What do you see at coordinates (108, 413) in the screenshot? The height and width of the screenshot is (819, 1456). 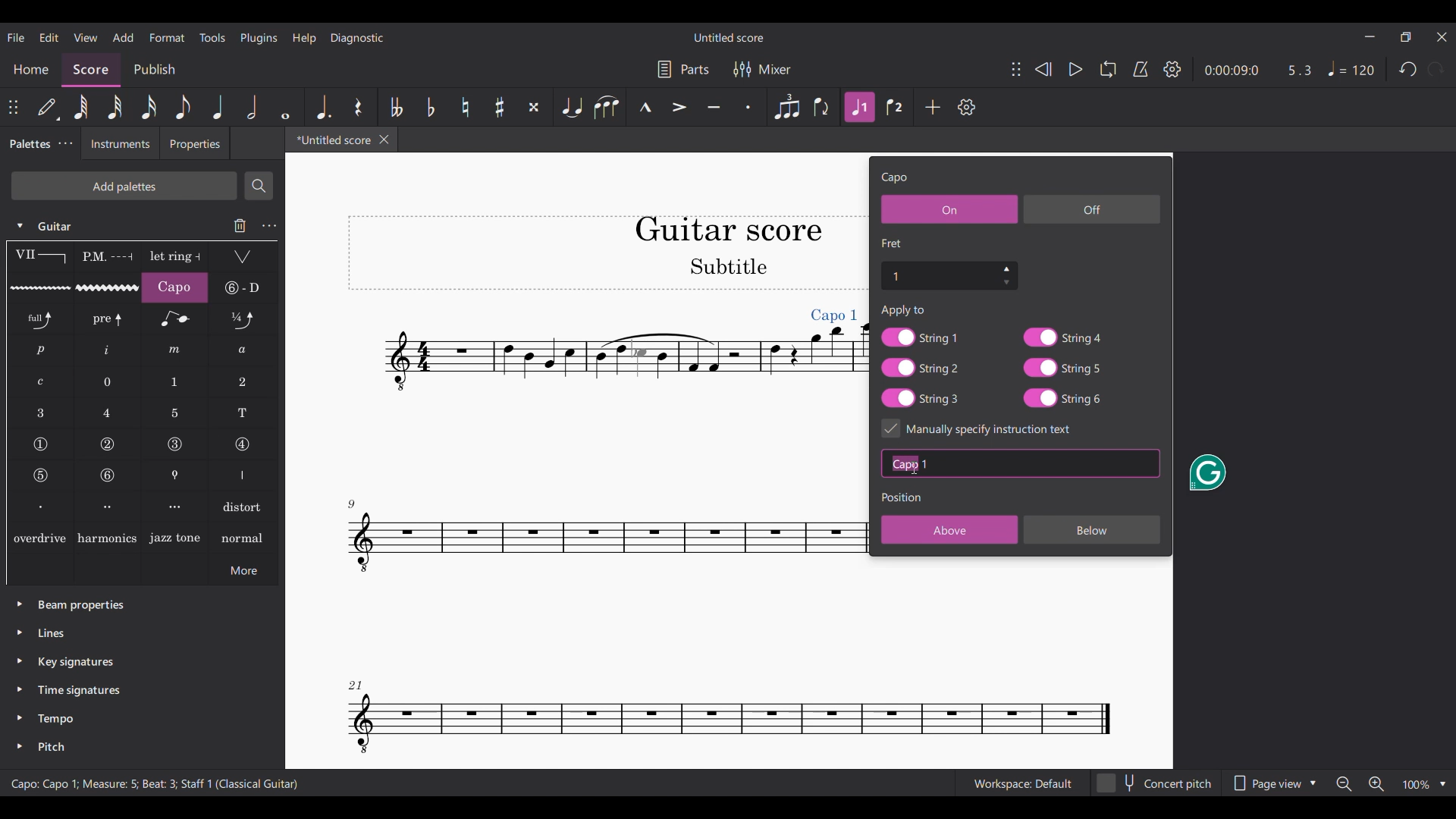 I see `LH guitar fingering 4` at bounding box center [108, 413].